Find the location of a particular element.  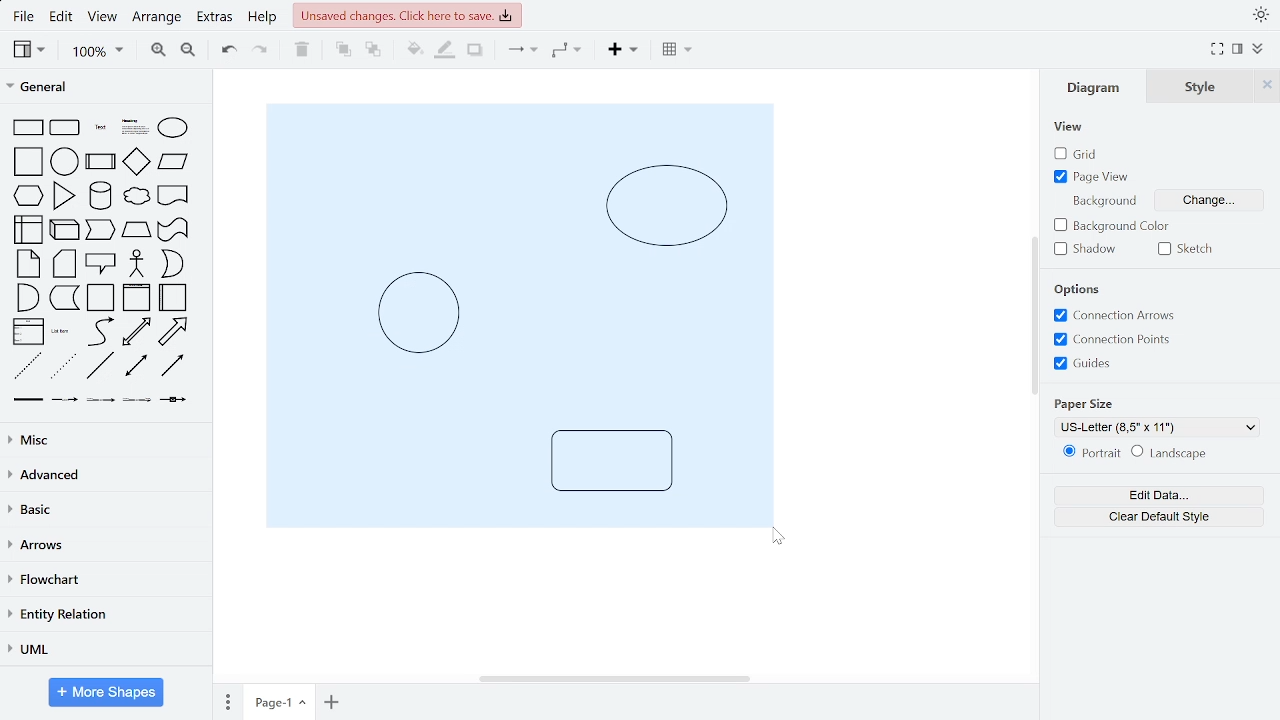

table is located at coordinates (674, 51).